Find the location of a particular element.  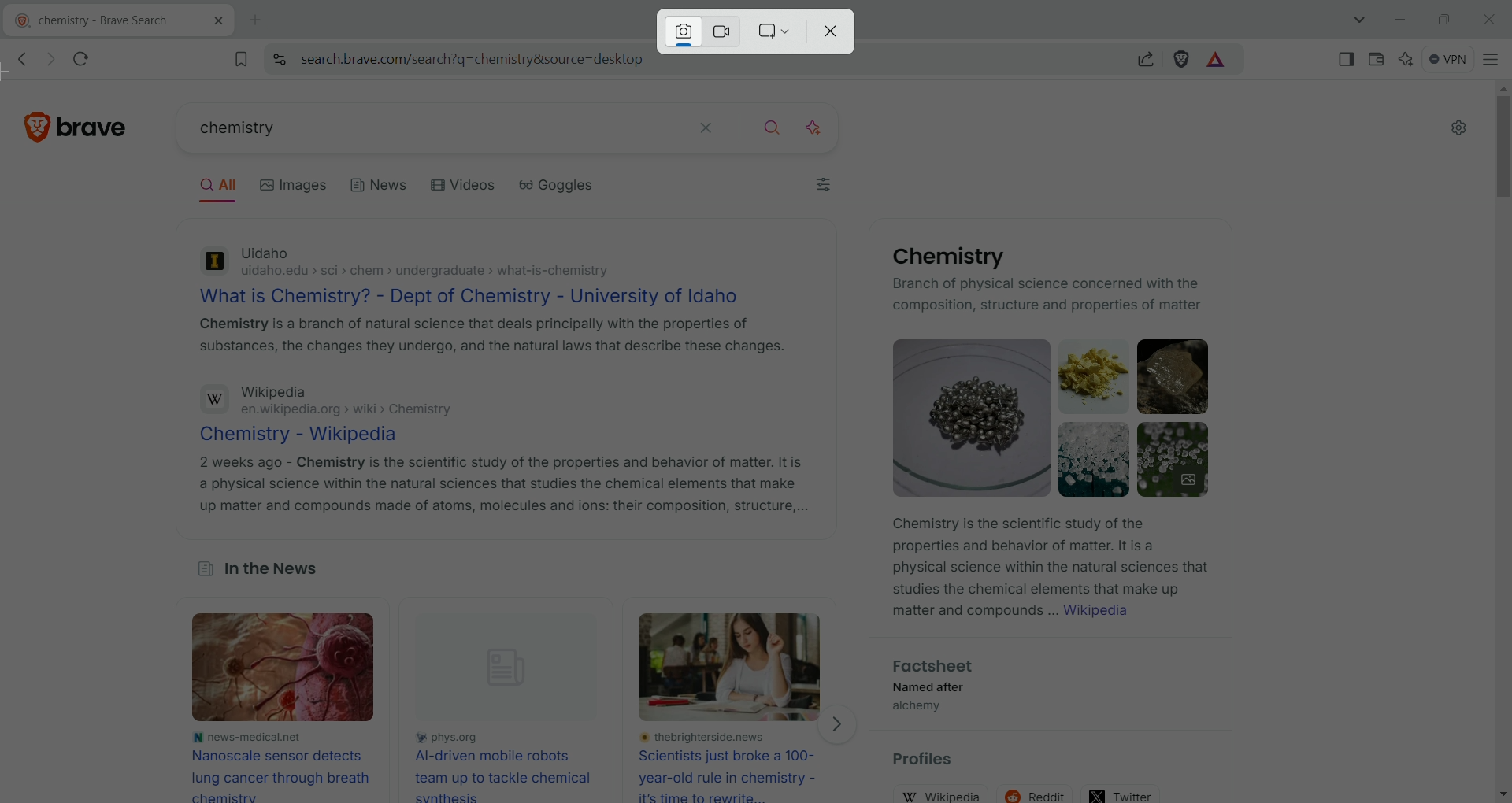

Chemistry is the scientific study of the
properties and behavior of matter. It is a
physical science within the natural sciences that
studies the chemical elements that make up
matter and compounds ... Wikipedia

2 9 is located at coordinates (1047, 572).